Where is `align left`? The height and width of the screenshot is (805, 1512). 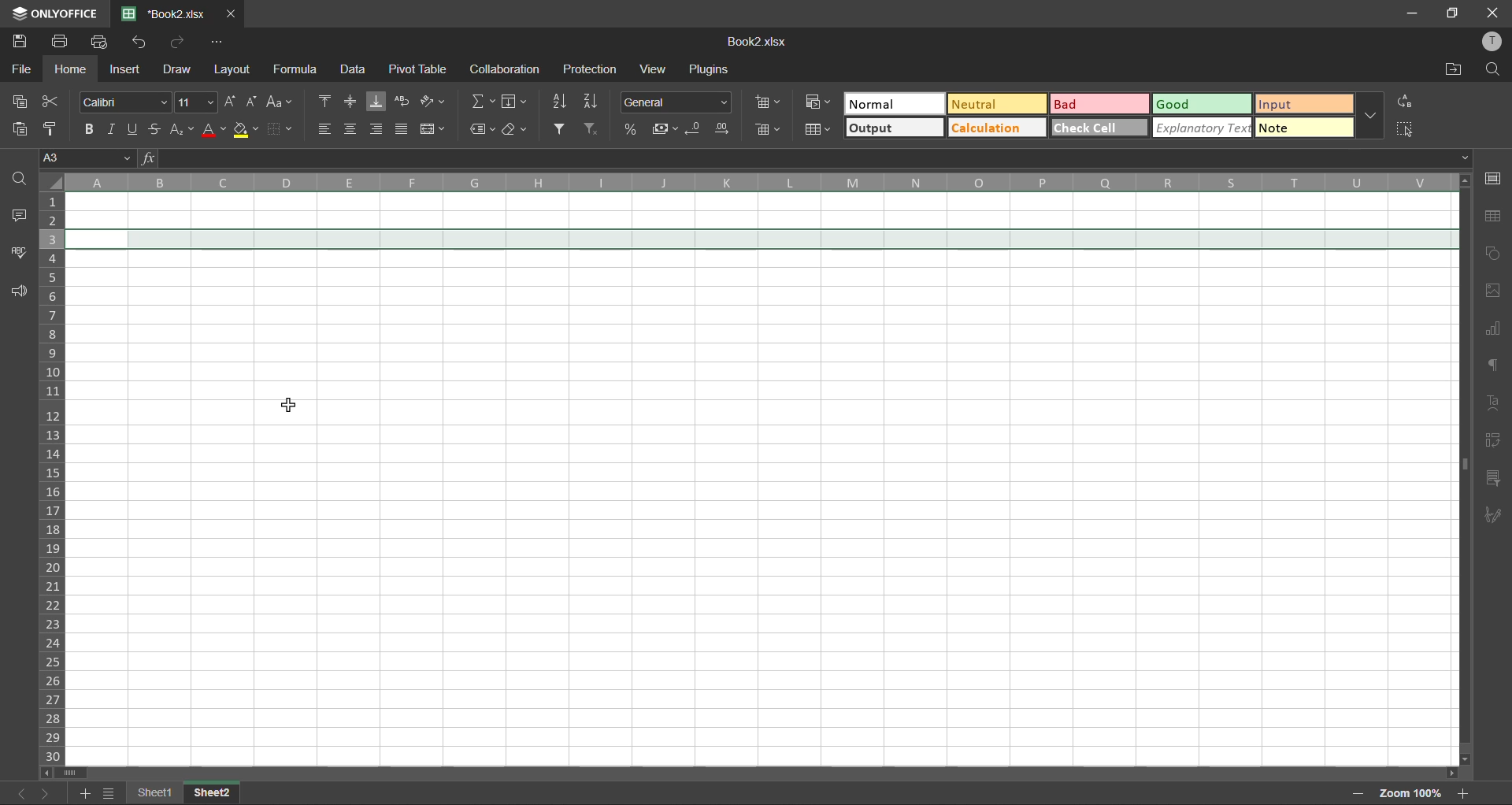 align left is located at coordinates (325, 130).